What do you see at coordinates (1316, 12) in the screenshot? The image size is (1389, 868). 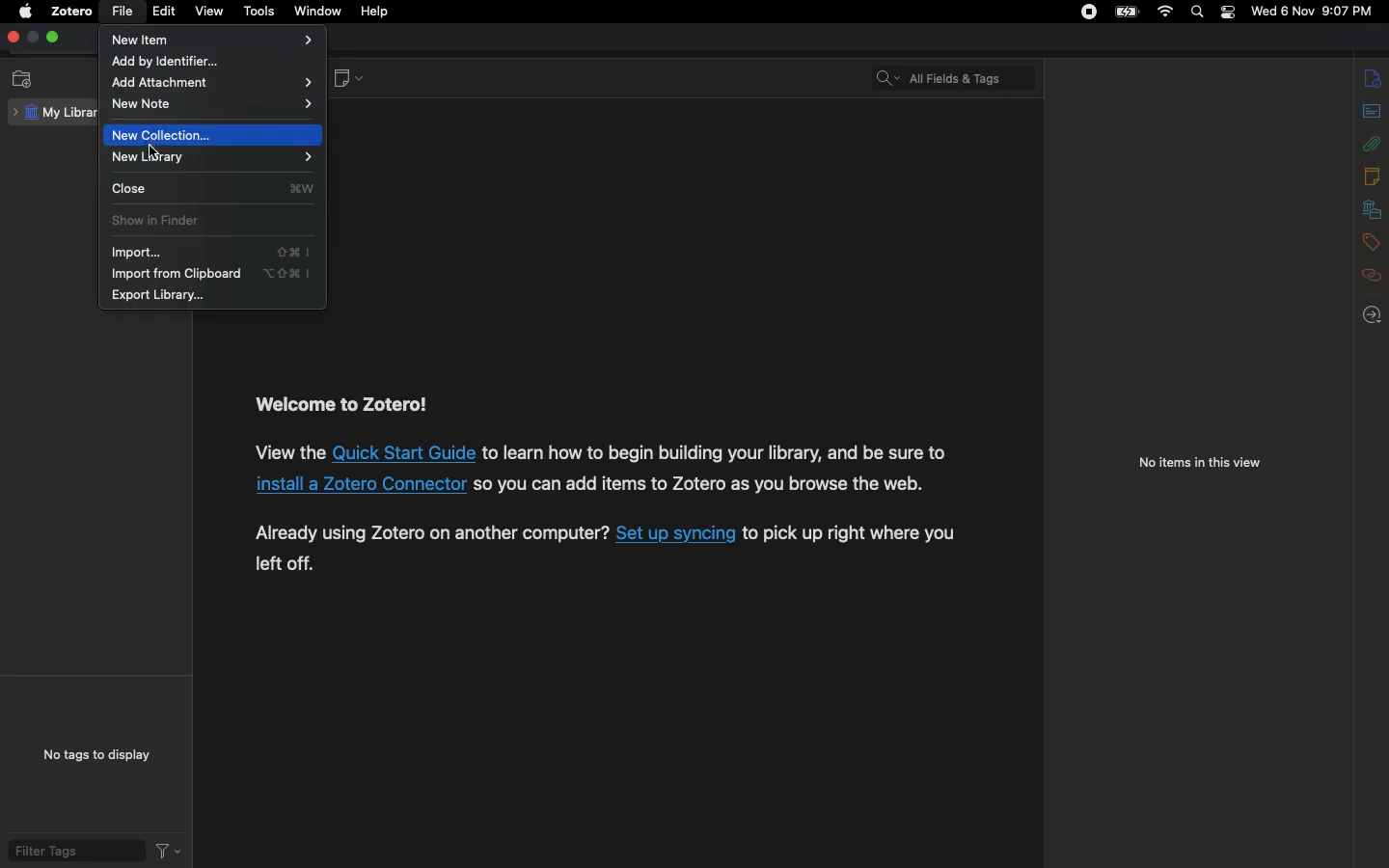 I see `Date/time` at bounding box center [1316, 12].